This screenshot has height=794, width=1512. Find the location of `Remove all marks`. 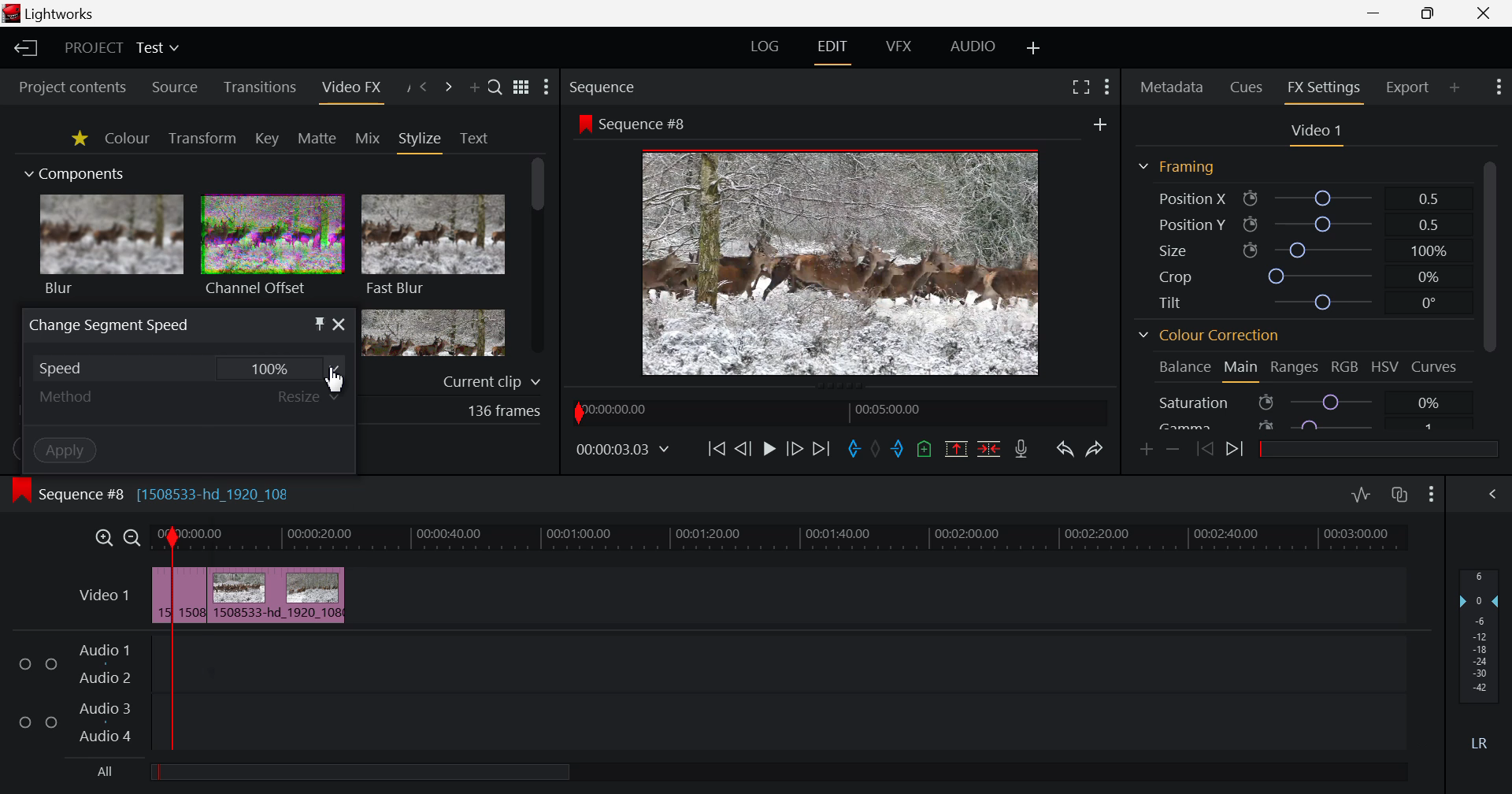

Remove all marks is located at coordinates (880, 447).